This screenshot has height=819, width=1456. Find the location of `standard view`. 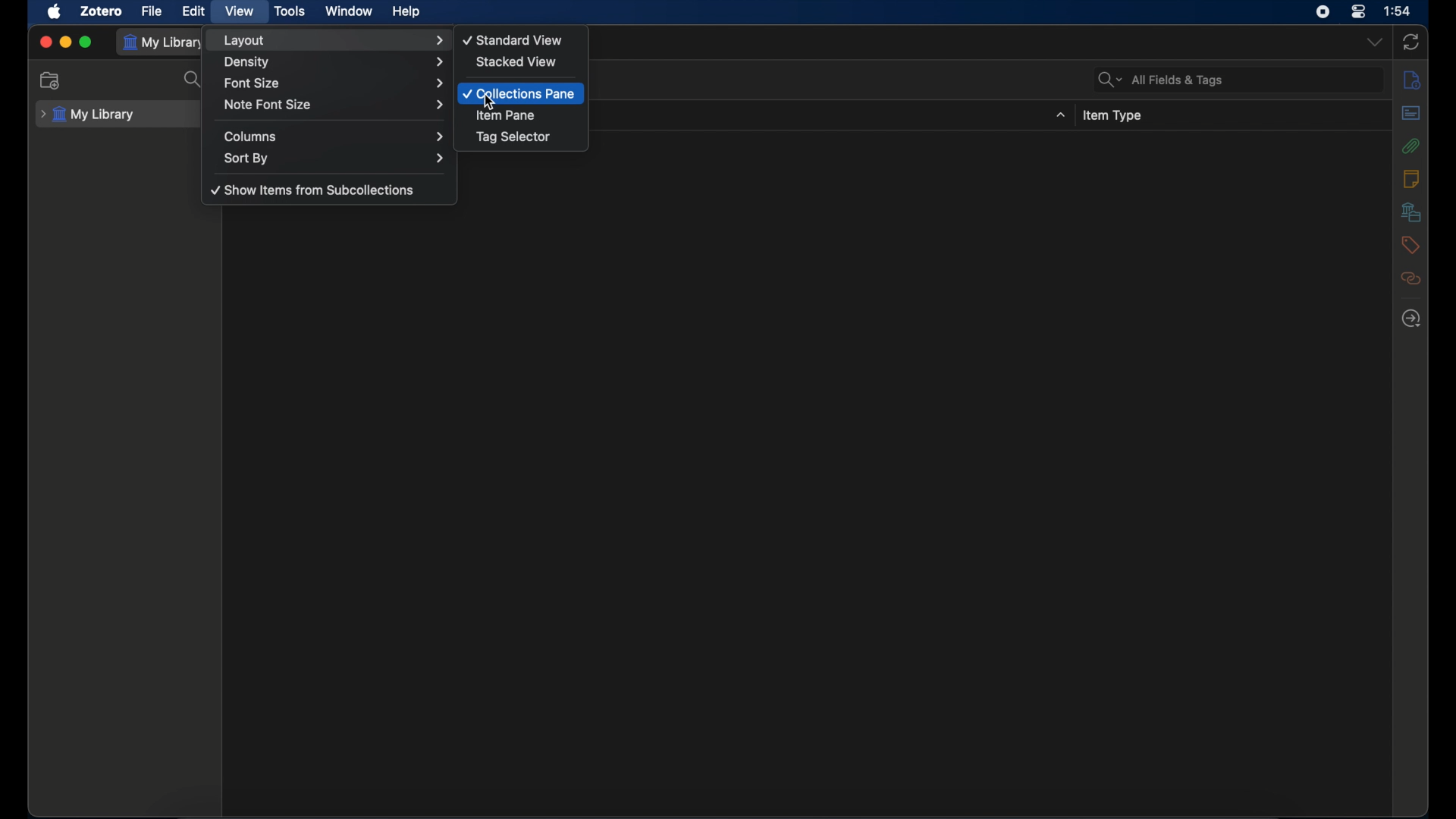

standard view is located at coordinates (514, 40).